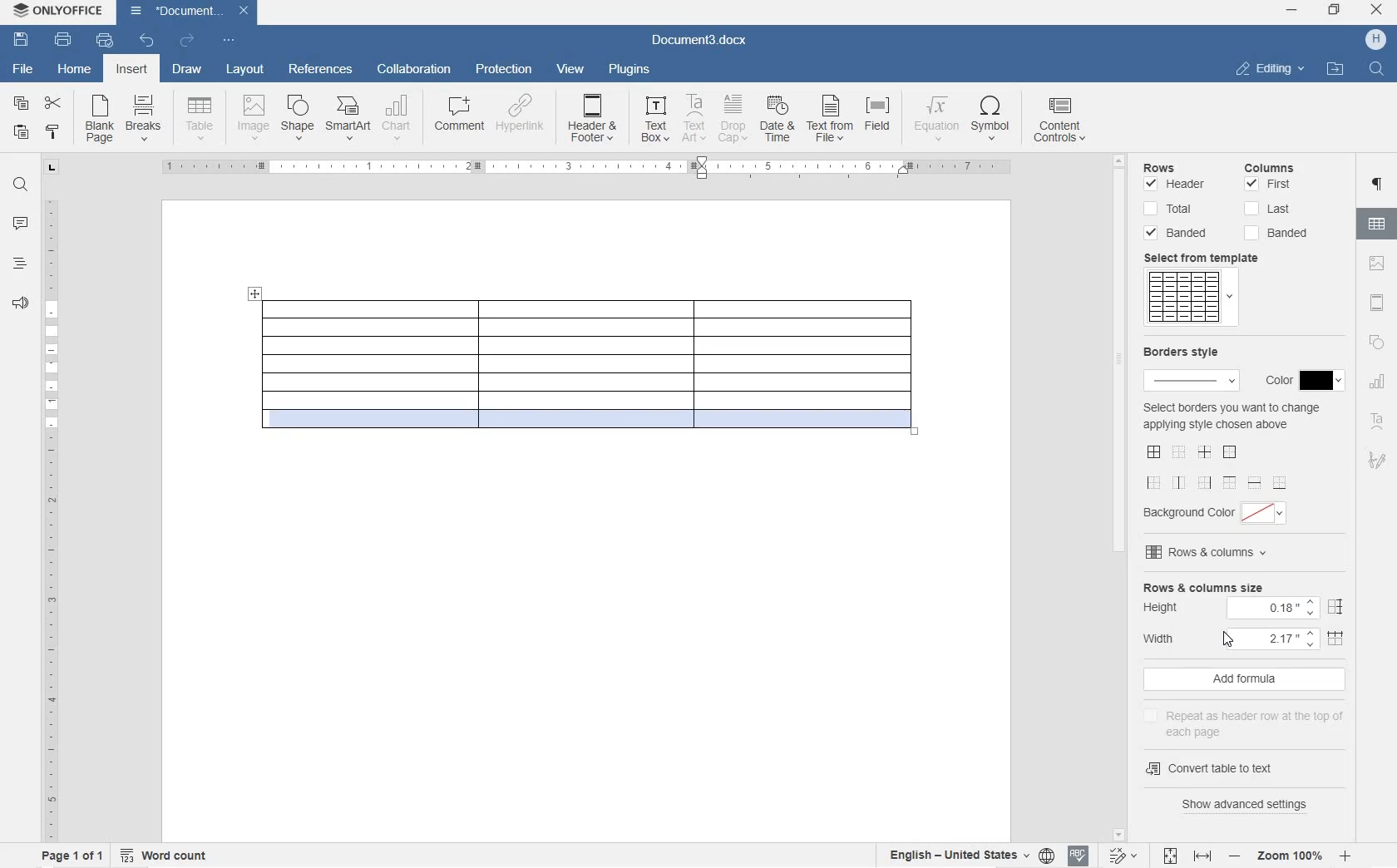 This screenshot has width=1397, height=868. Describe the element at coordinates (936, 121) in the screenshot. I see `EQUATION` at that location.